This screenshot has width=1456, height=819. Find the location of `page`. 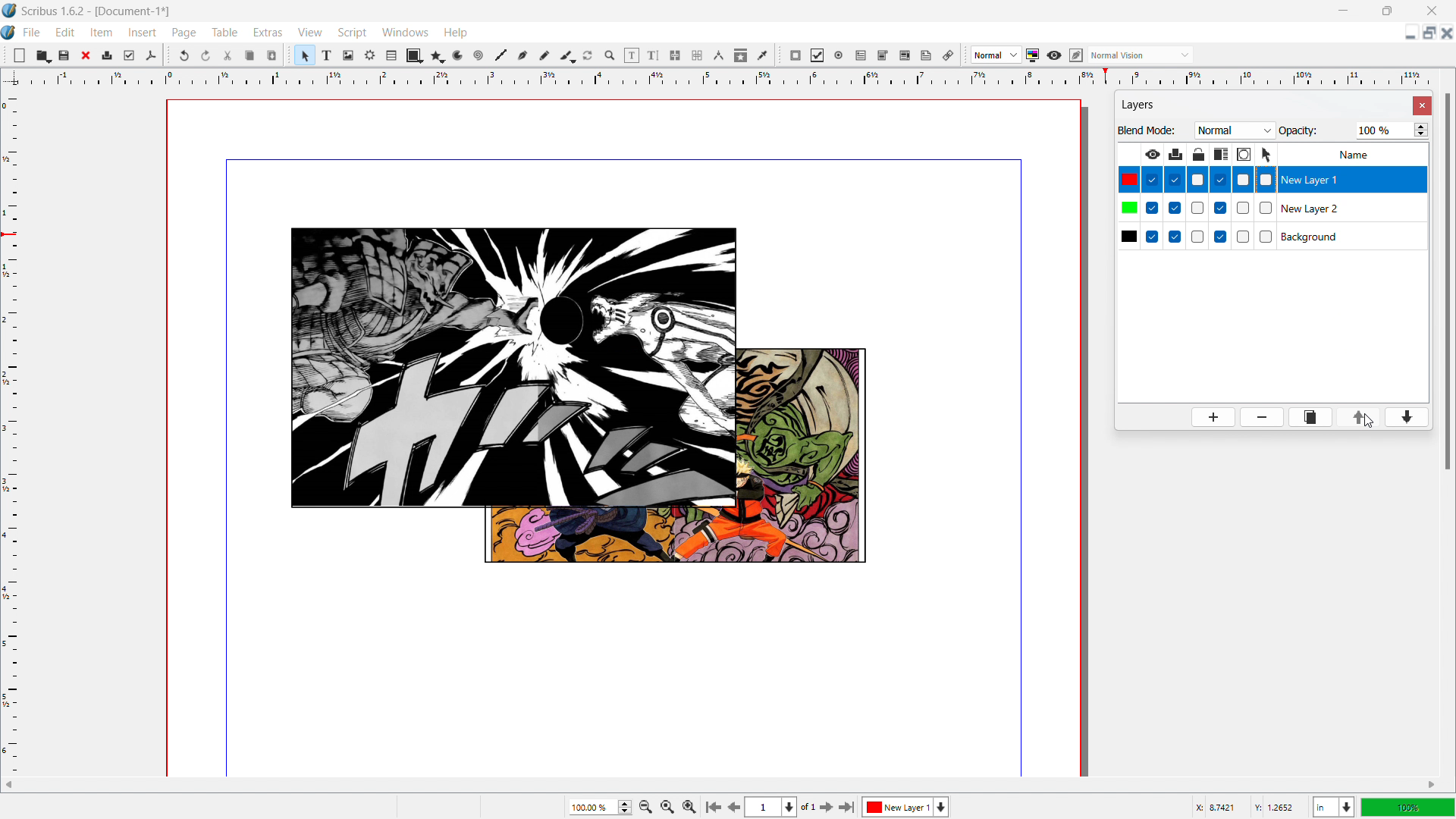

page is located at coordinates (184, 32).